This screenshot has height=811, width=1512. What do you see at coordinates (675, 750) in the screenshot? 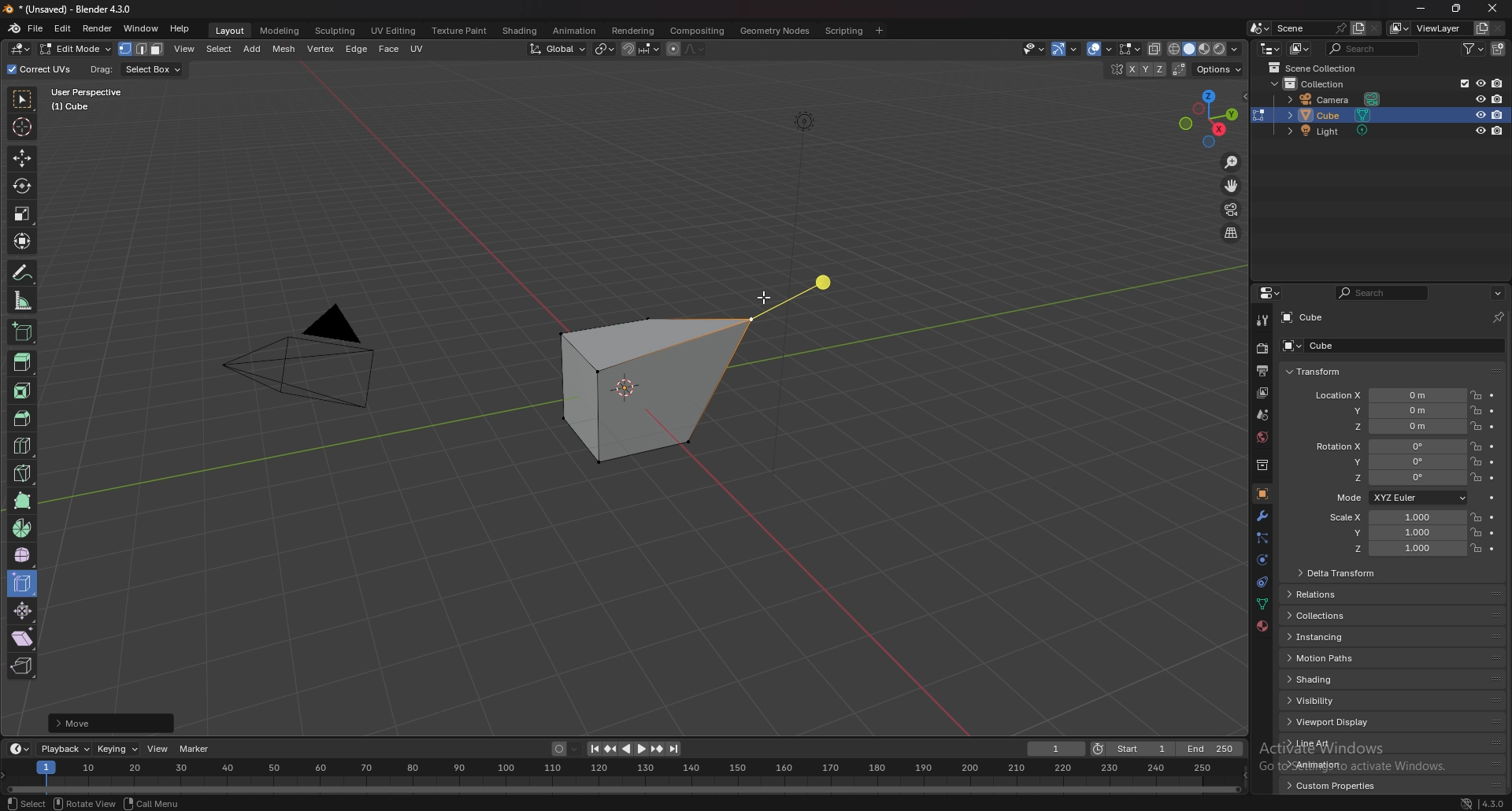
I see `jump to endpoint` at bounding box center [675, 750].